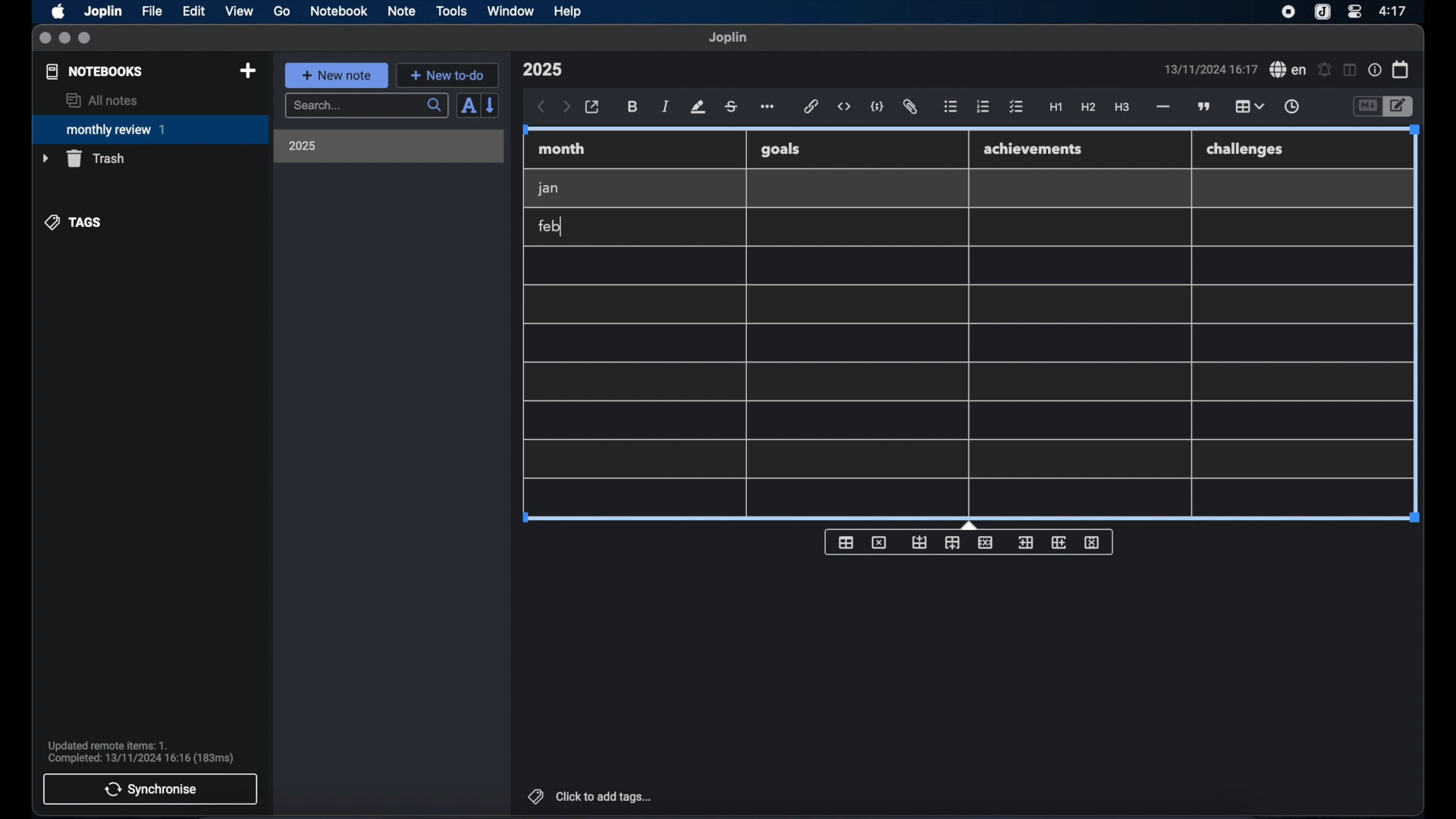  Describe the element at coordinates (666, 106) in the screenshot. I see `italic` at that location.